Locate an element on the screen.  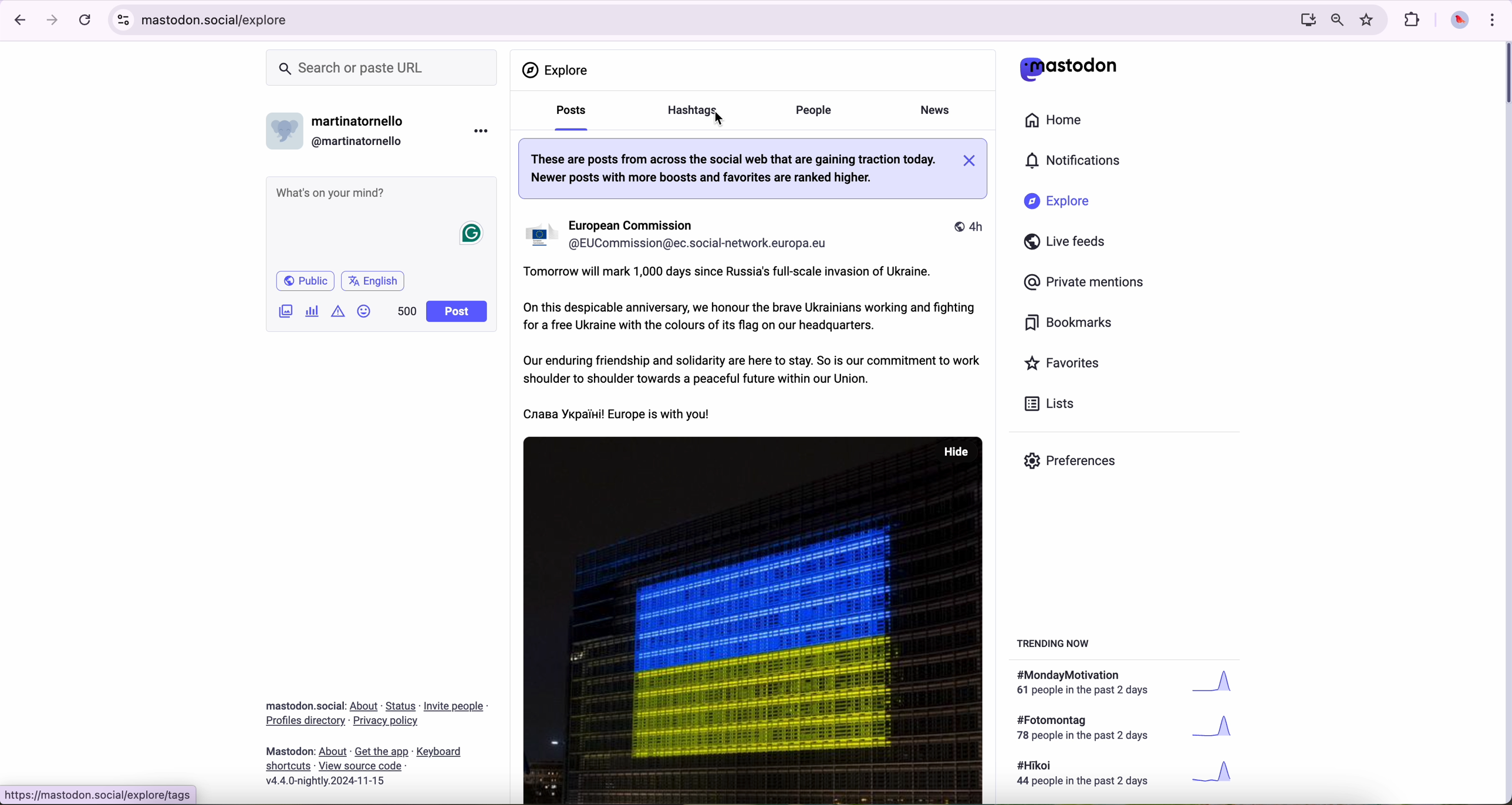
note is located at coordinates (733, 169).